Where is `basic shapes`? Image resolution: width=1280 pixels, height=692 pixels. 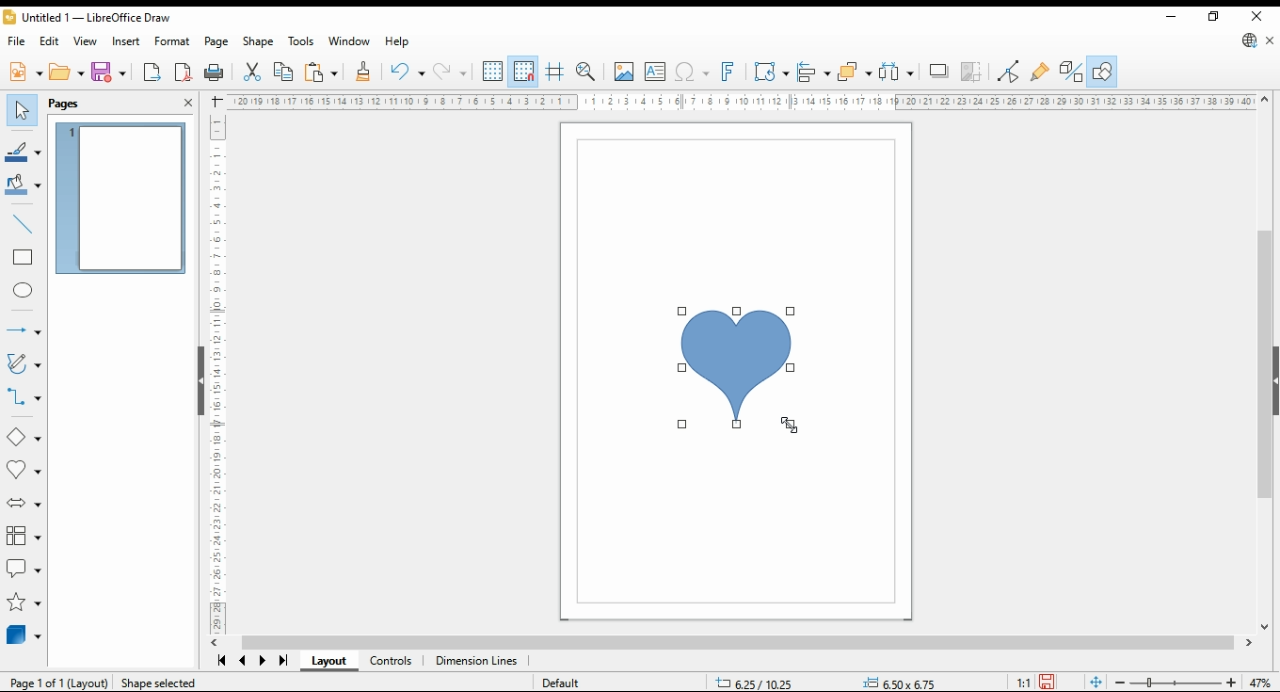
basic shapes is located at coordinates (23, 436).